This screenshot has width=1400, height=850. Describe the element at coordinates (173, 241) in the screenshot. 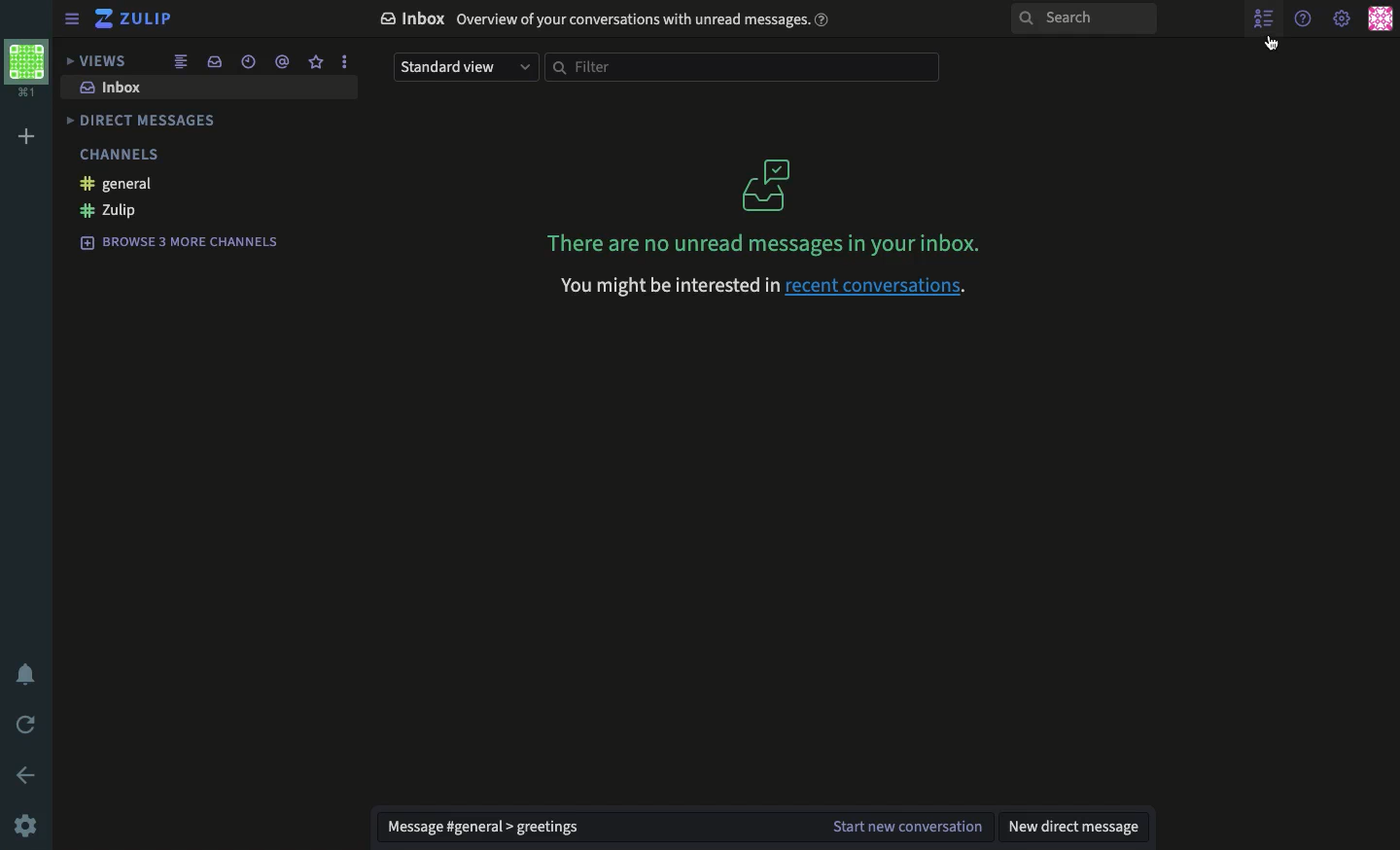

I see `browse 3 more channels` at that location.